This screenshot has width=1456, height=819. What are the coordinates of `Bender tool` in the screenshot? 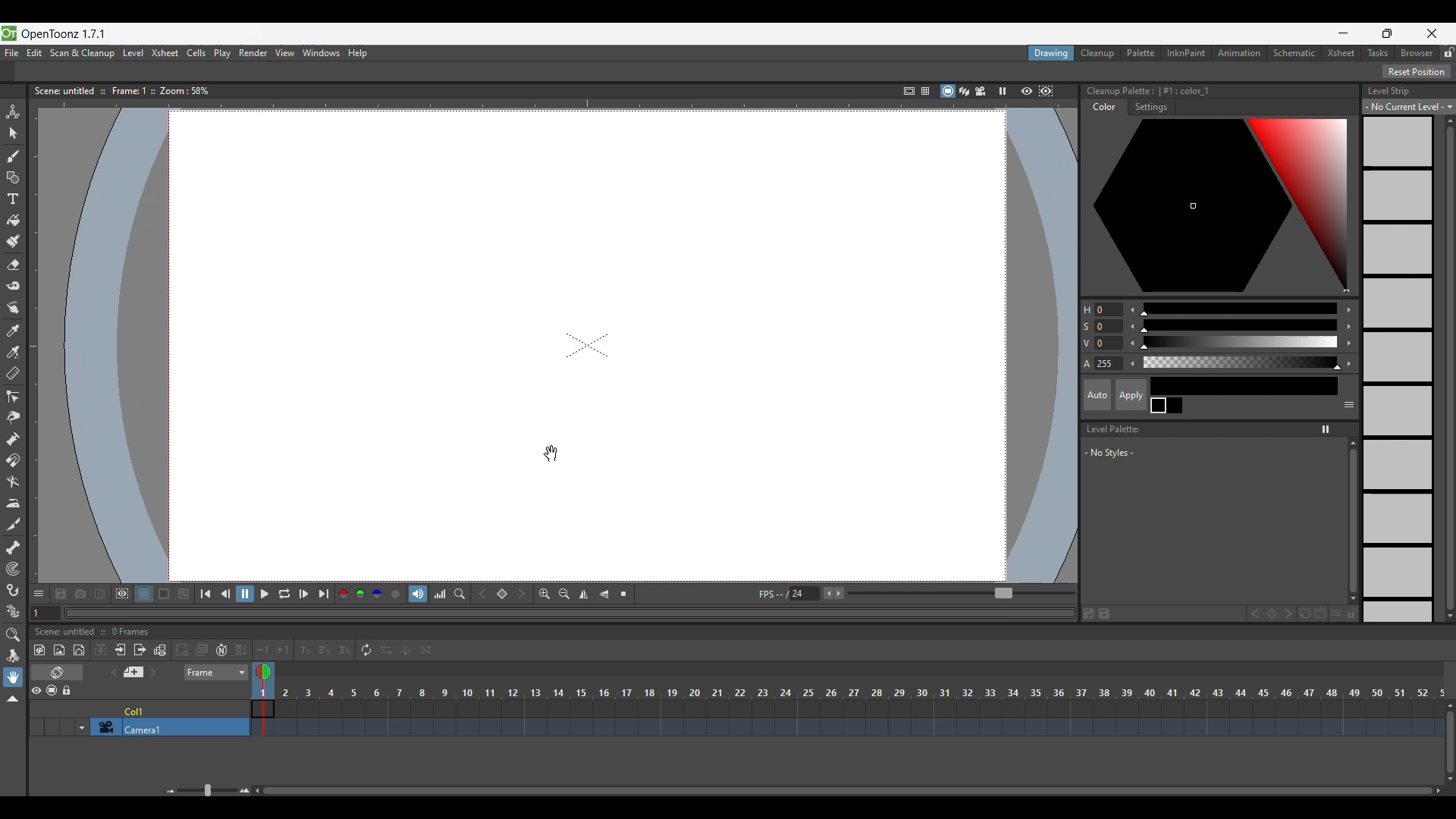 It's located at (13, 482).